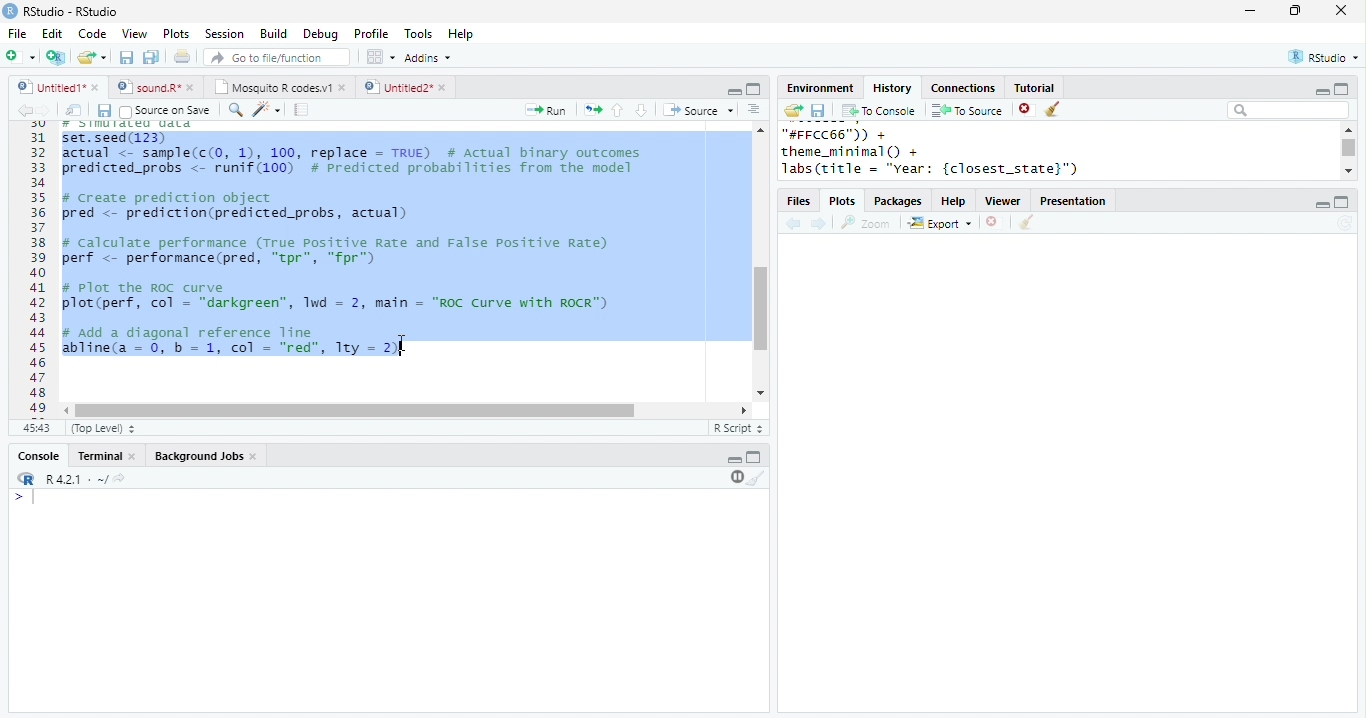 The width and height of the screenshot is (1366, 718). I want to click on "#FFCC66")) +theme_minimal() +labs(title = "year: {closest_state}"), so click(955, 152).